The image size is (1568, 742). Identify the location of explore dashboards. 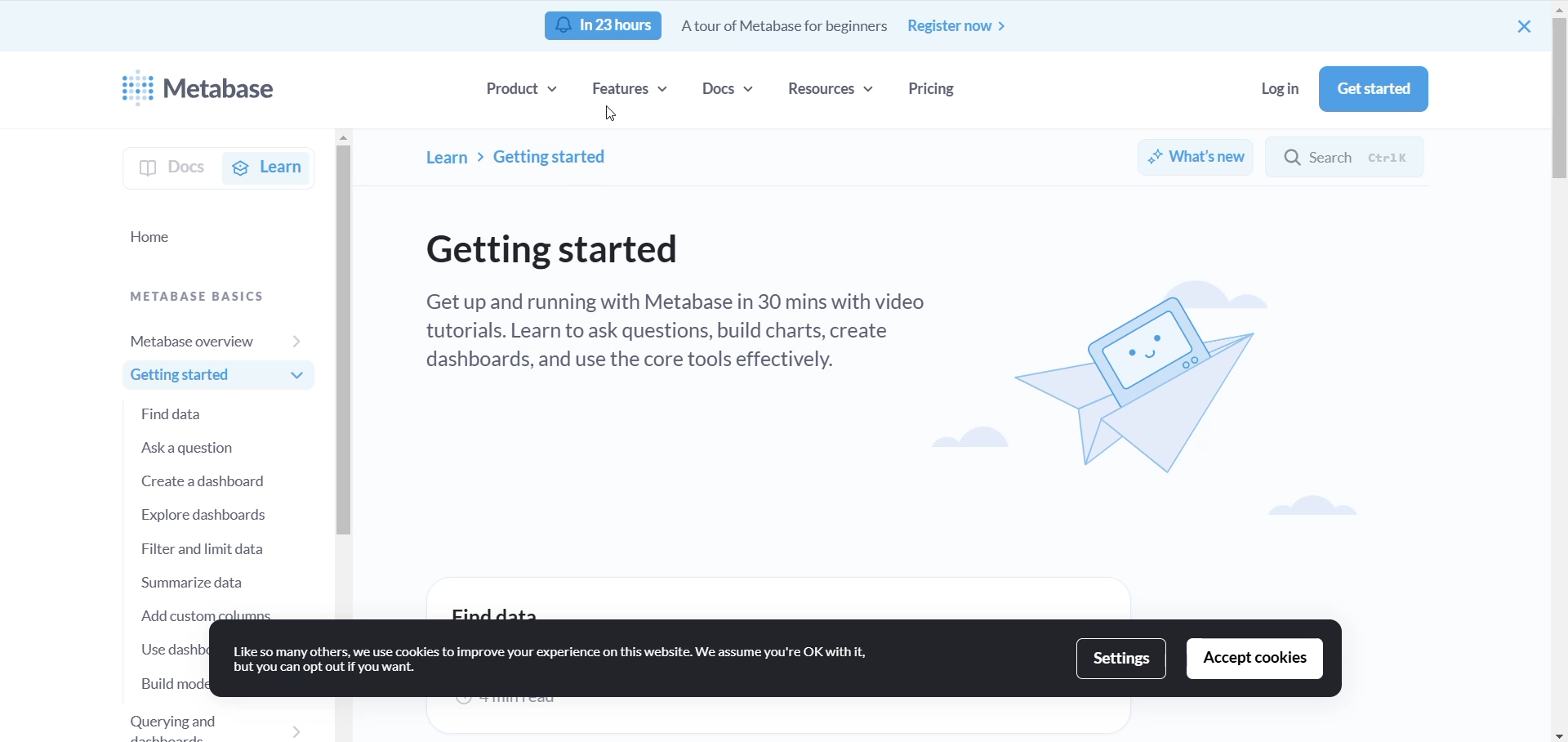
(208, 516).